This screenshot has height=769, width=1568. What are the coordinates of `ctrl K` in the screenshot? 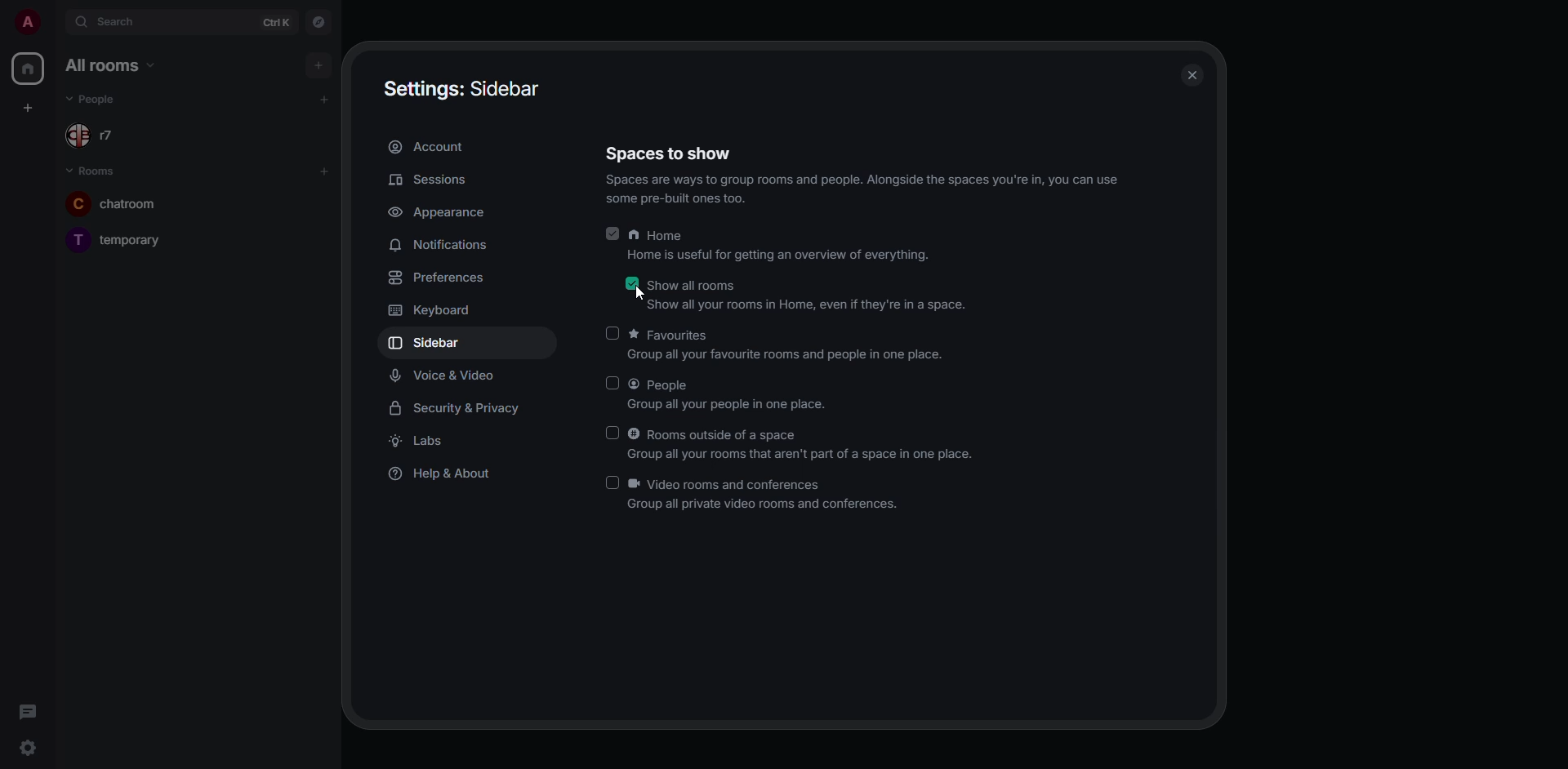 It's located at (275, 23).